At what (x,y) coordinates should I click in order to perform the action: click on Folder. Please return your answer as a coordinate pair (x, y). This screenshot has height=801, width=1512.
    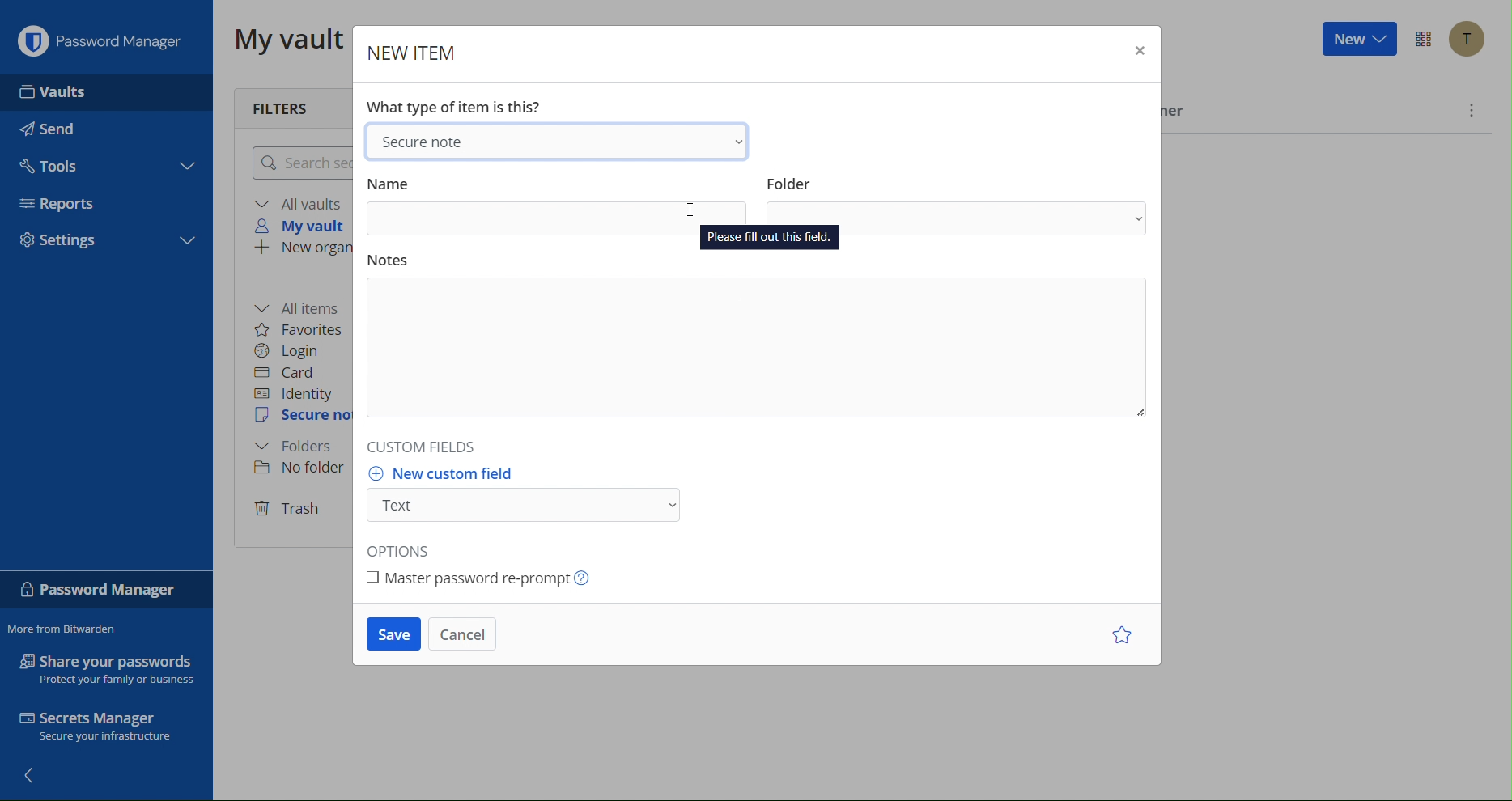
    Looking at the image, I should click on (955, 206).